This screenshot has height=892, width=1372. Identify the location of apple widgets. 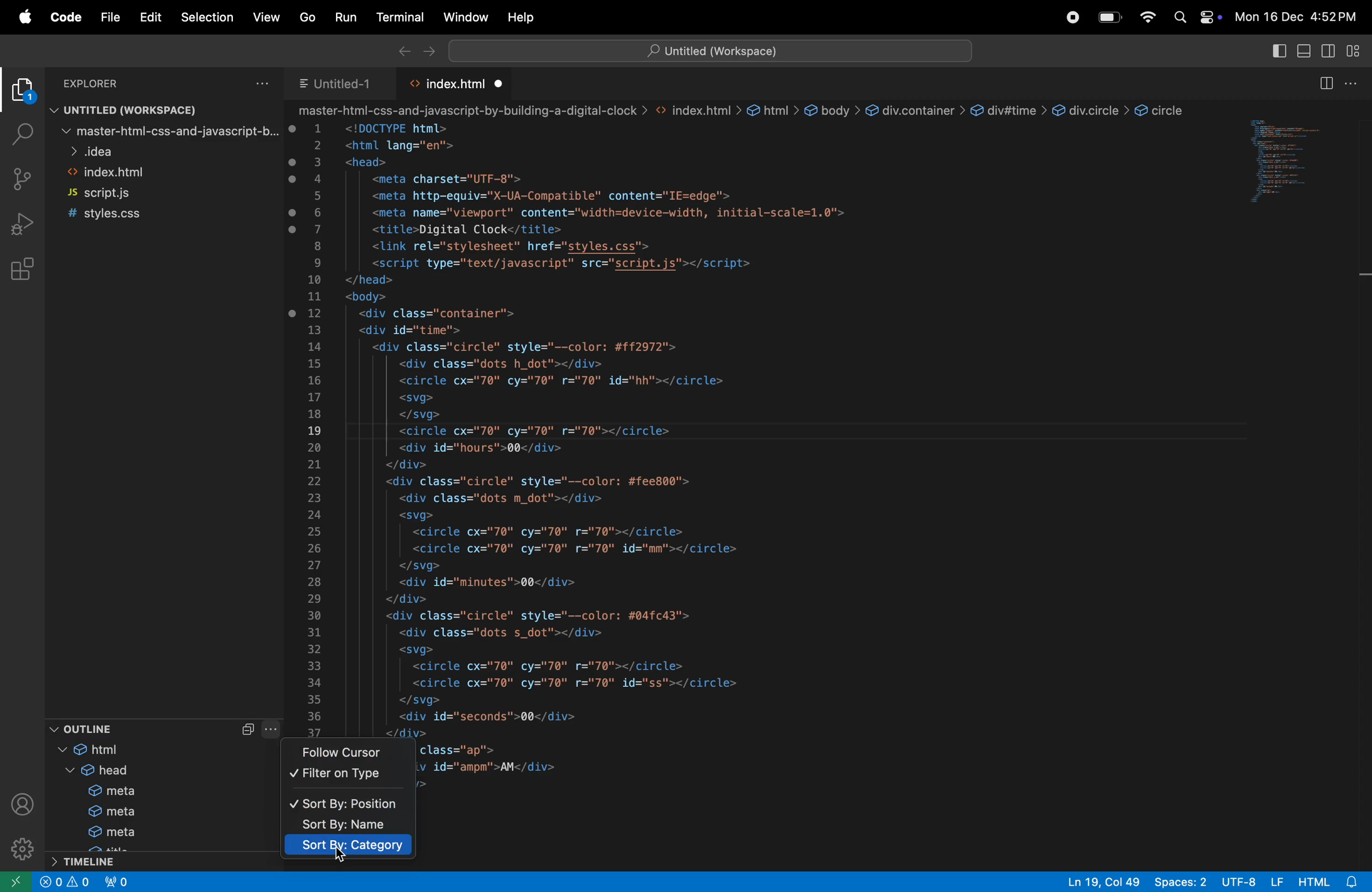
(1194, 14).